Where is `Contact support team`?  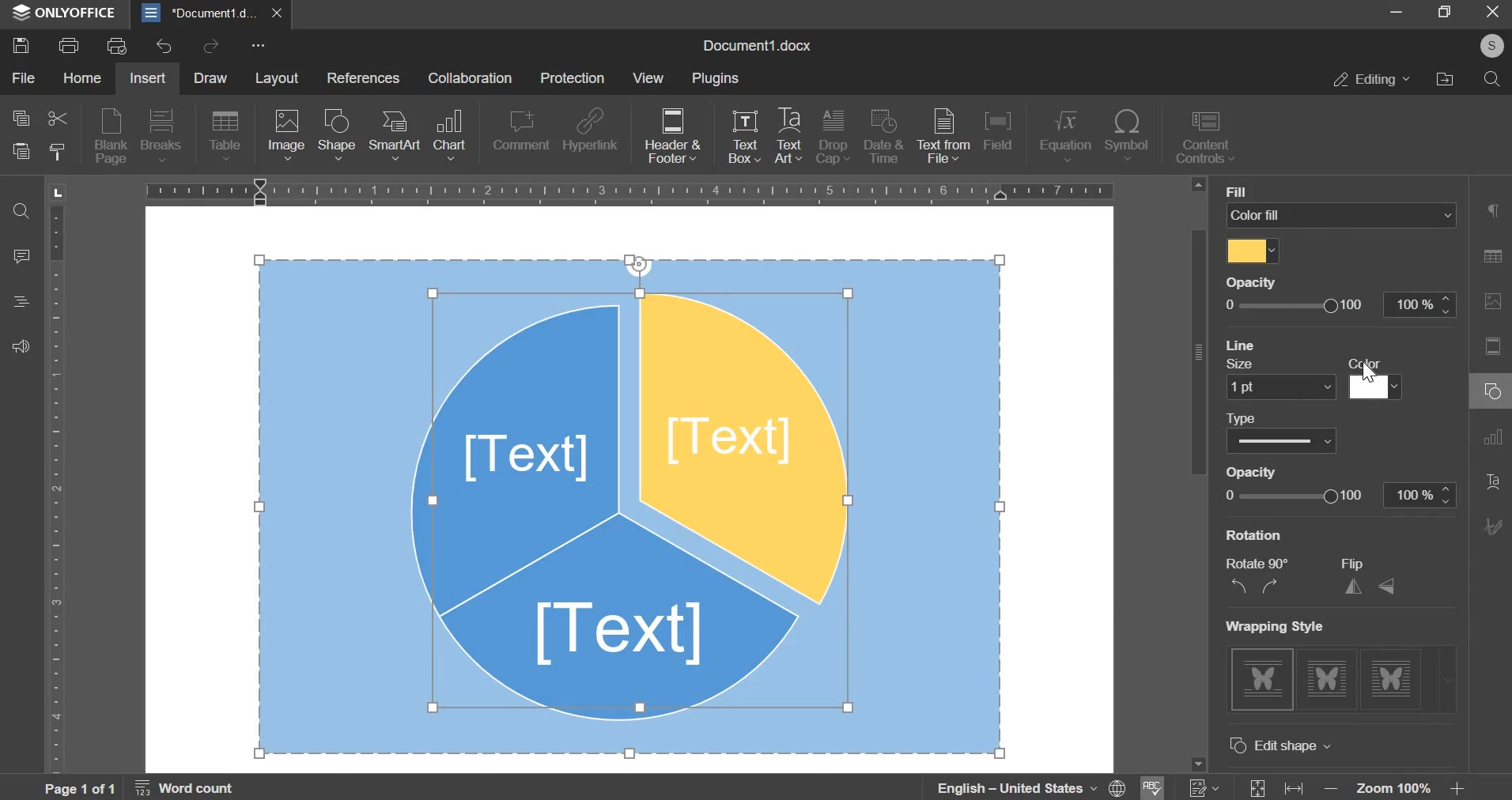
Contact support team is located at coordinates (21, 348).